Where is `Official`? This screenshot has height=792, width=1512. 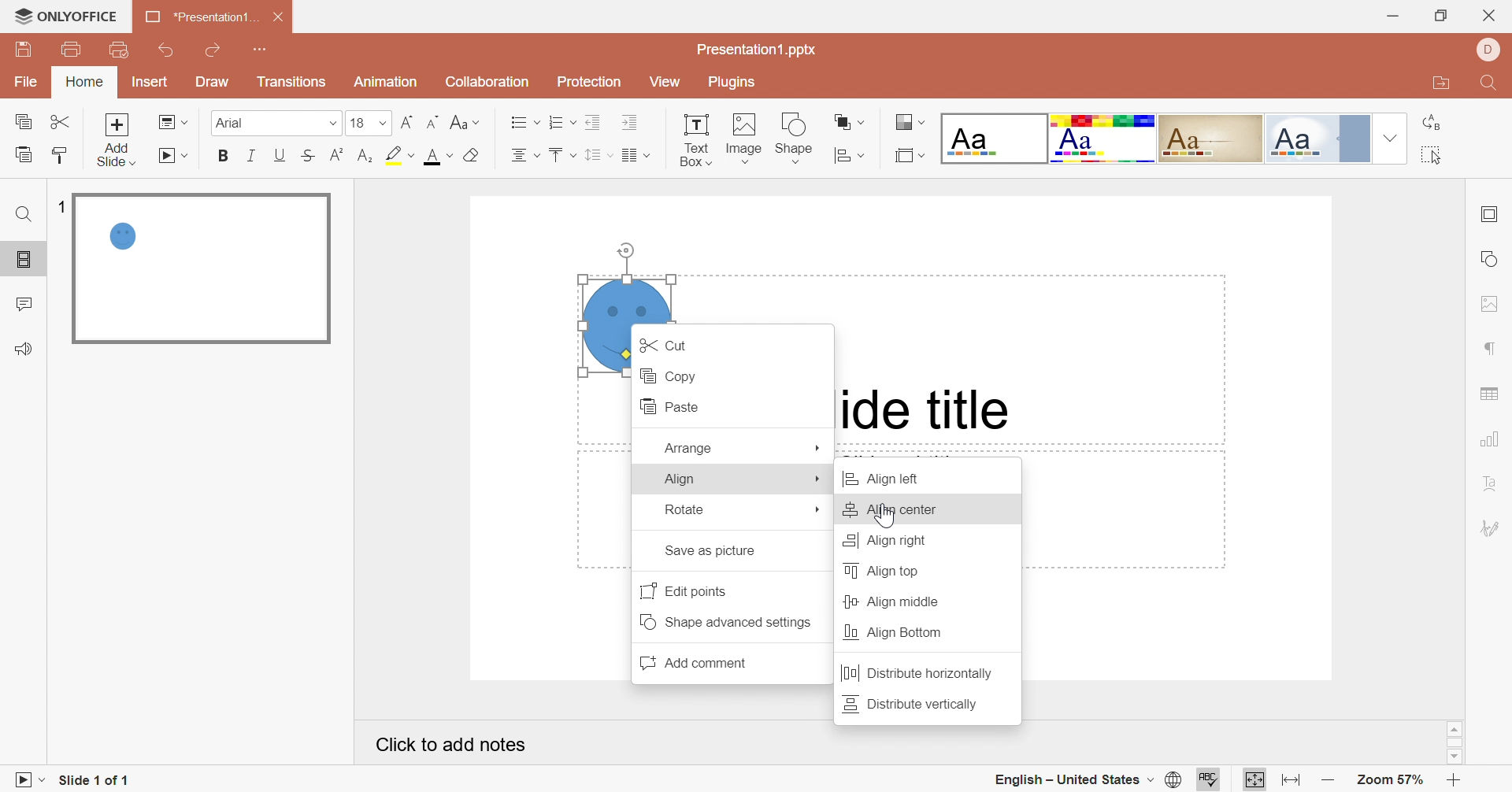
Official is located at coordinates (1316, 139).